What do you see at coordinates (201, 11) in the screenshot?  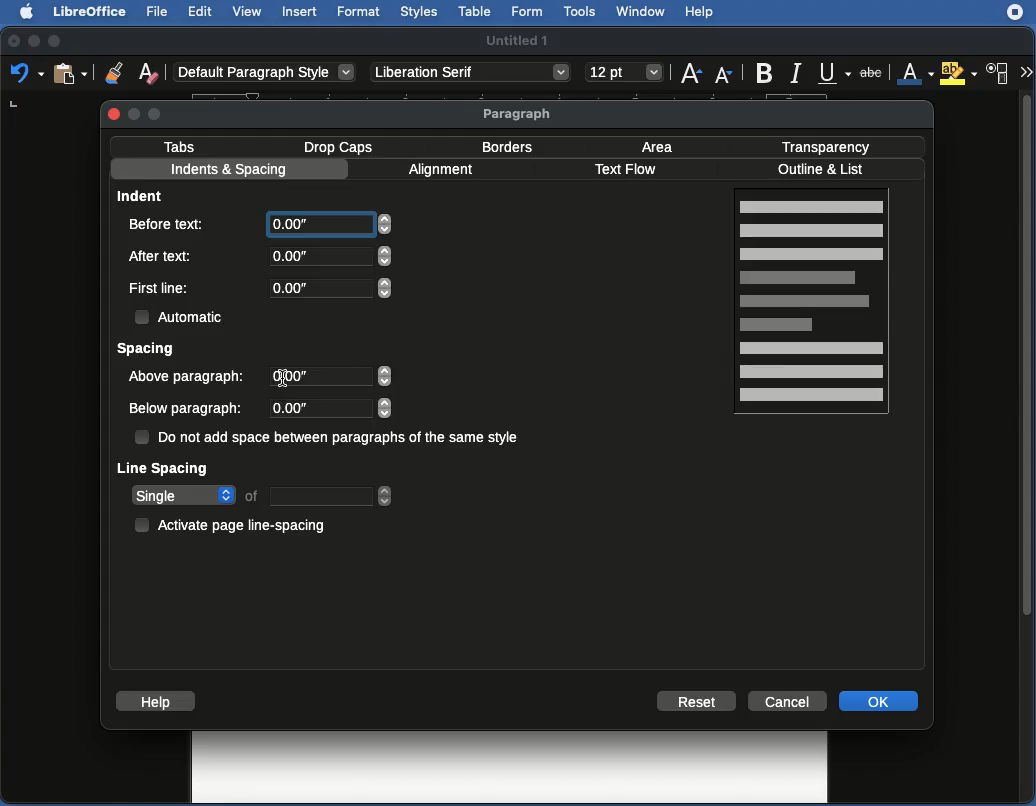 I see `Edit` at bounding box center [201, 11].